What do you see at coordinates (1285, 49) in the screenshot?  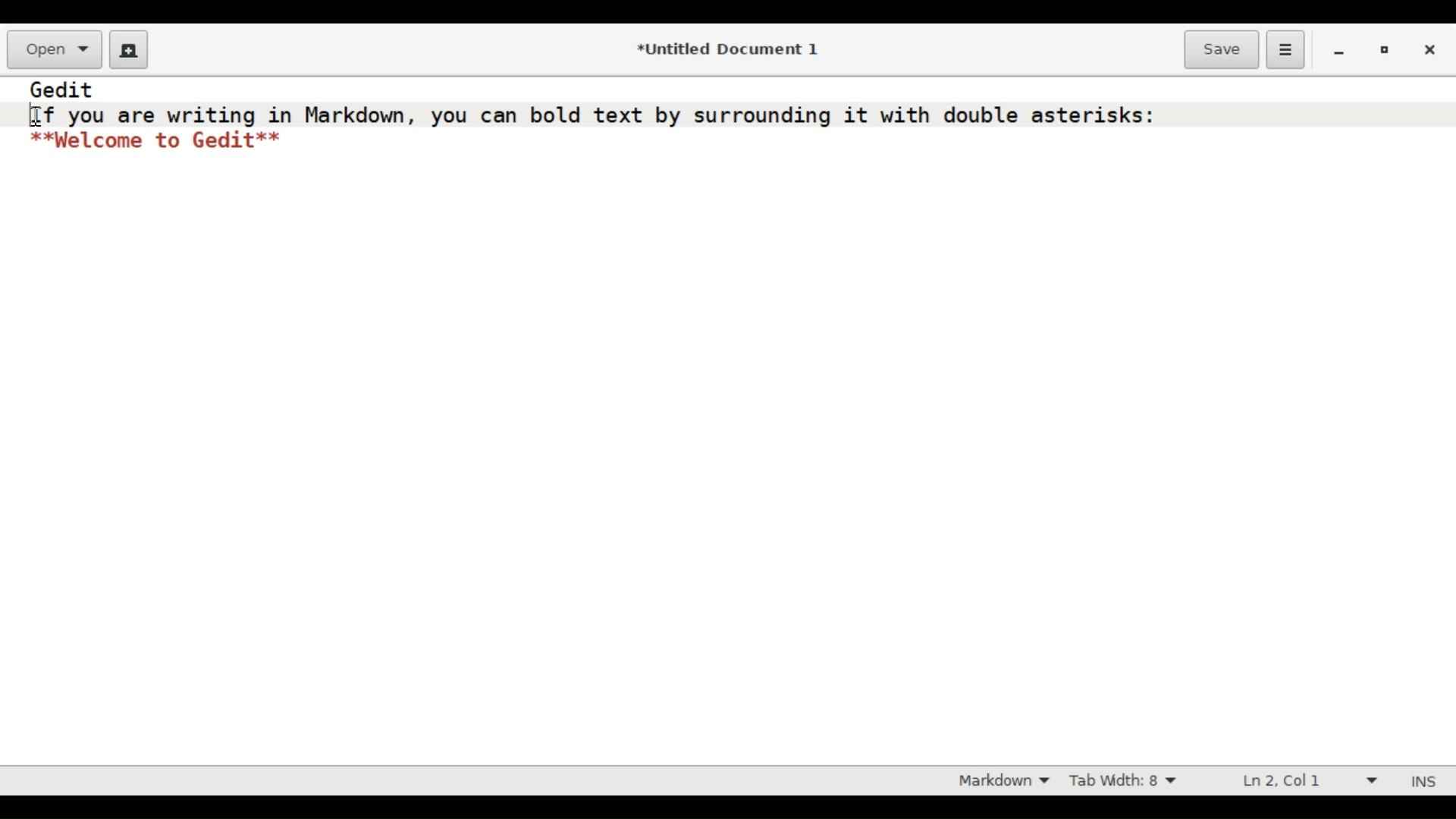 I see `Application menu` at bounding box center [1285, 49].